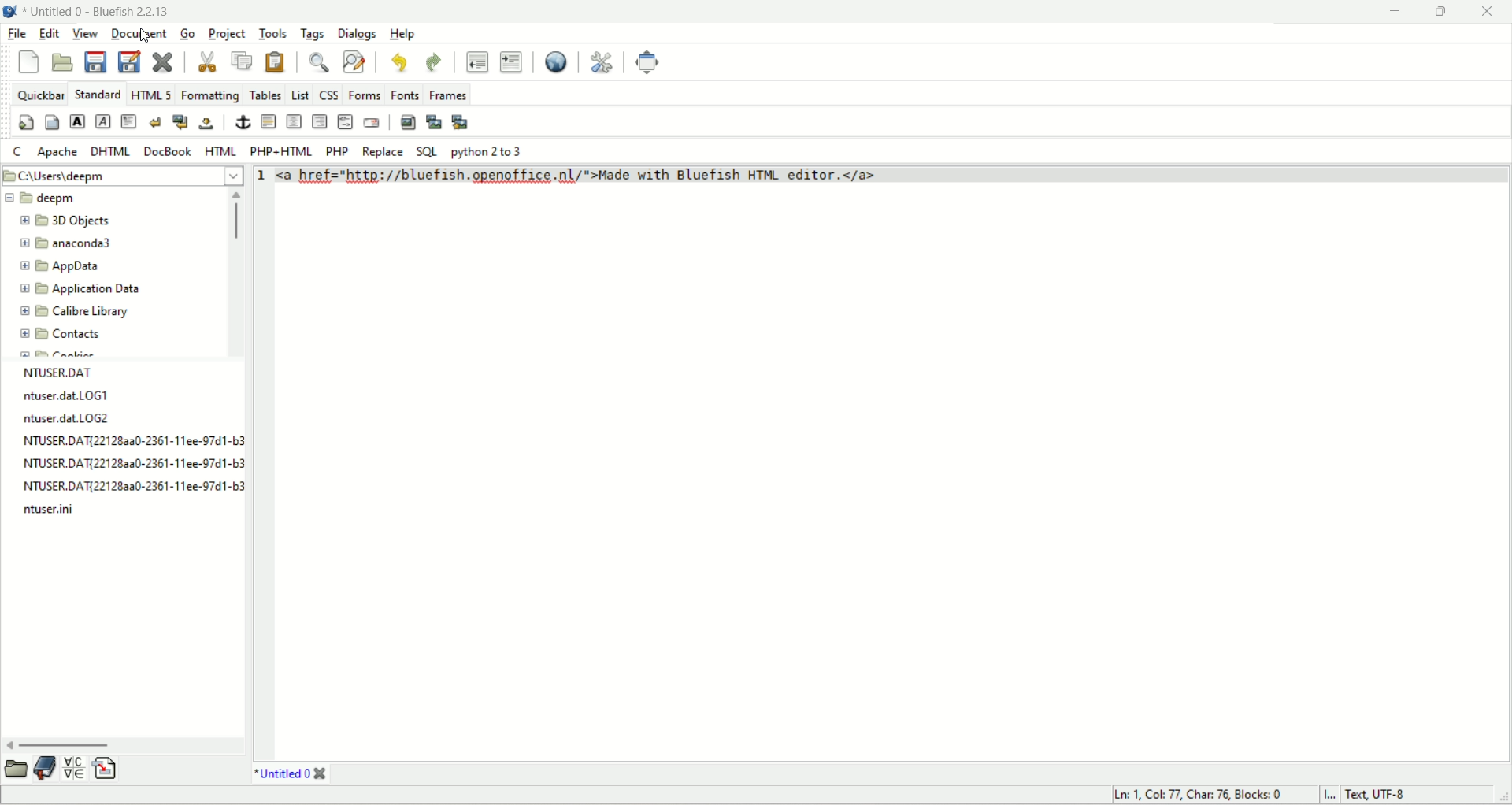 The width and height of the screenshot is (1512, 805). What do you see at coordinates (602, 62) in the screenshot?
I see `edit references` at bounding box center [602, 62].